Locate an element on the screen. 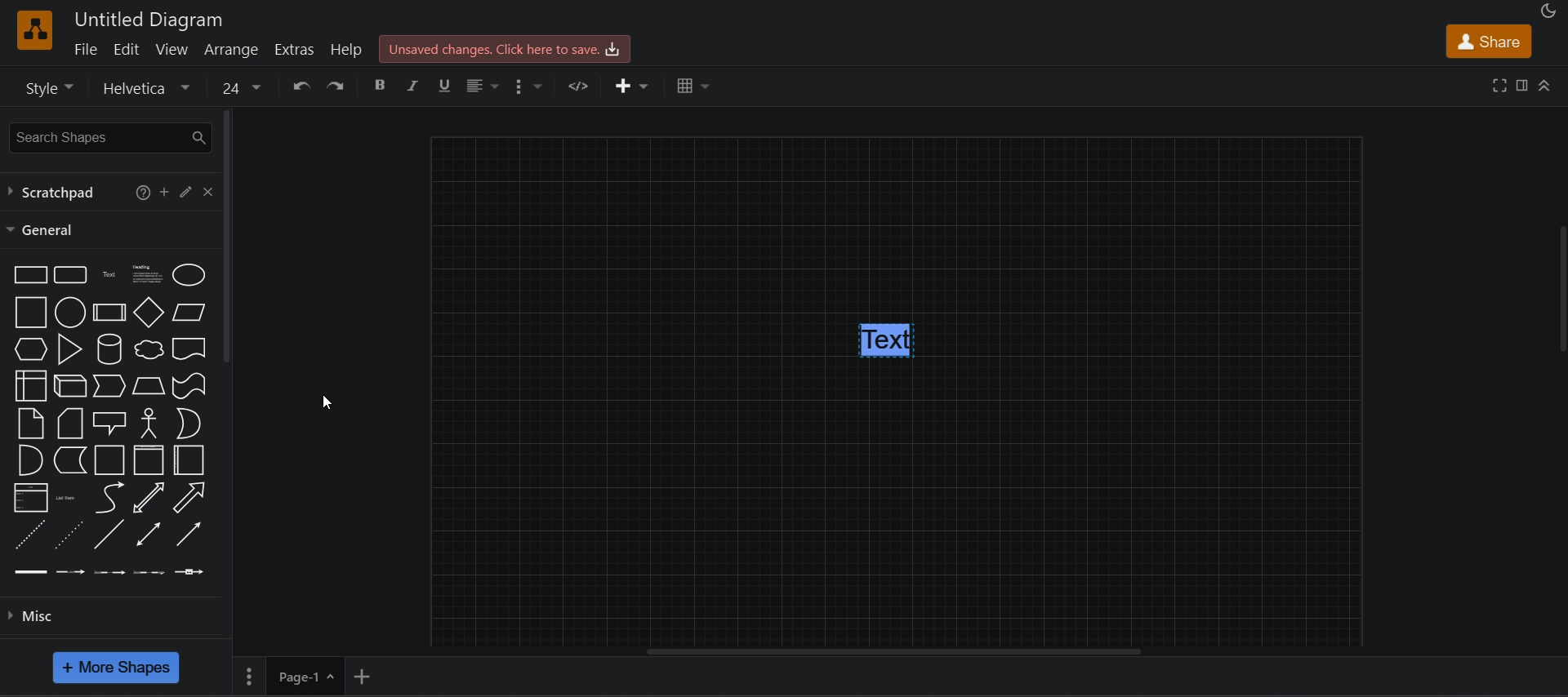 The height and width of the screenshot is (697, 1568). Horizontal container is located at coordinates (189, 460).